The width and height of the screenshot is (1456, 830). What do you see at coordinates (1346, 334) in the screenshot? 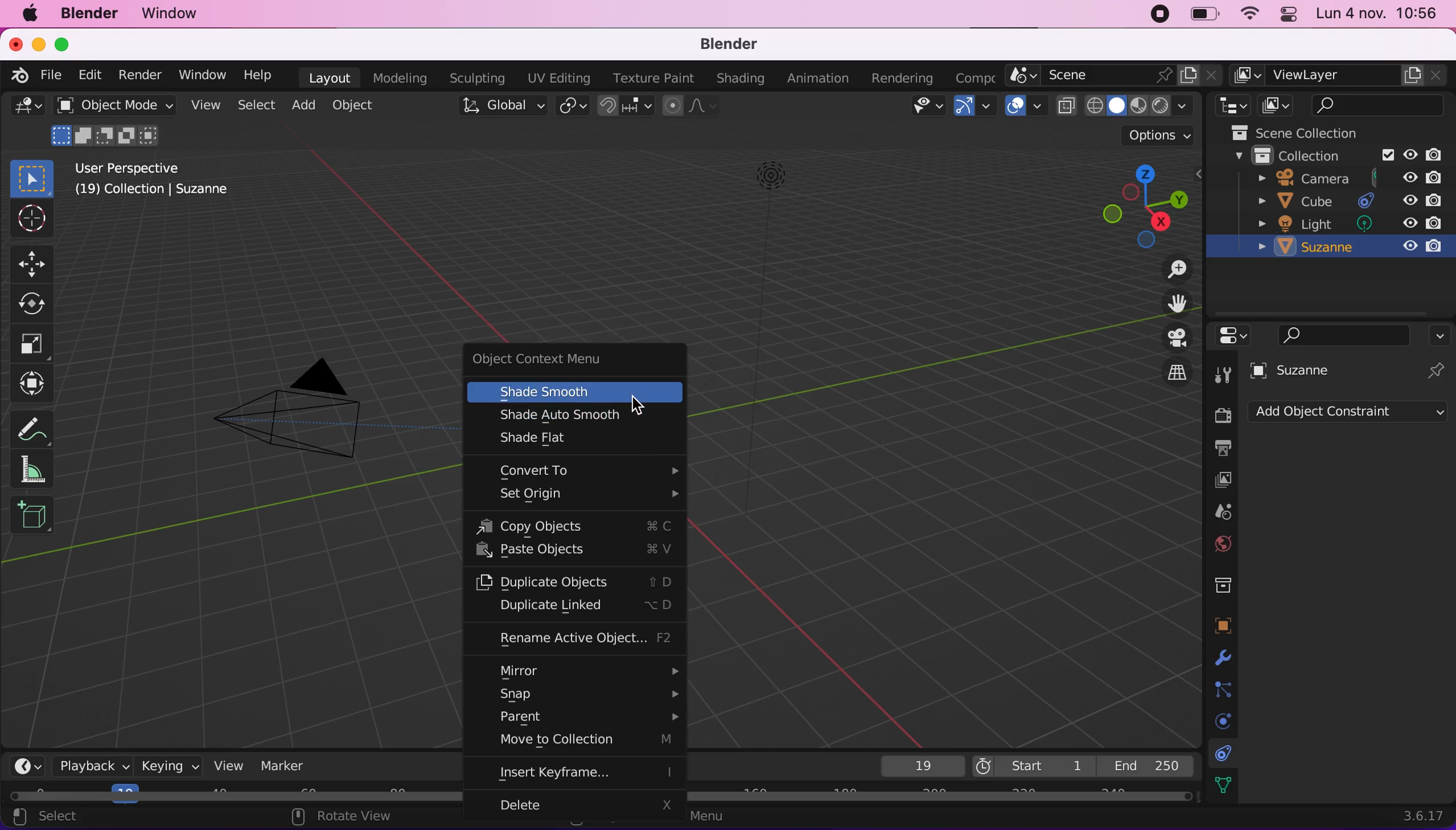
I see `search` at bounding box center [1346, 334].